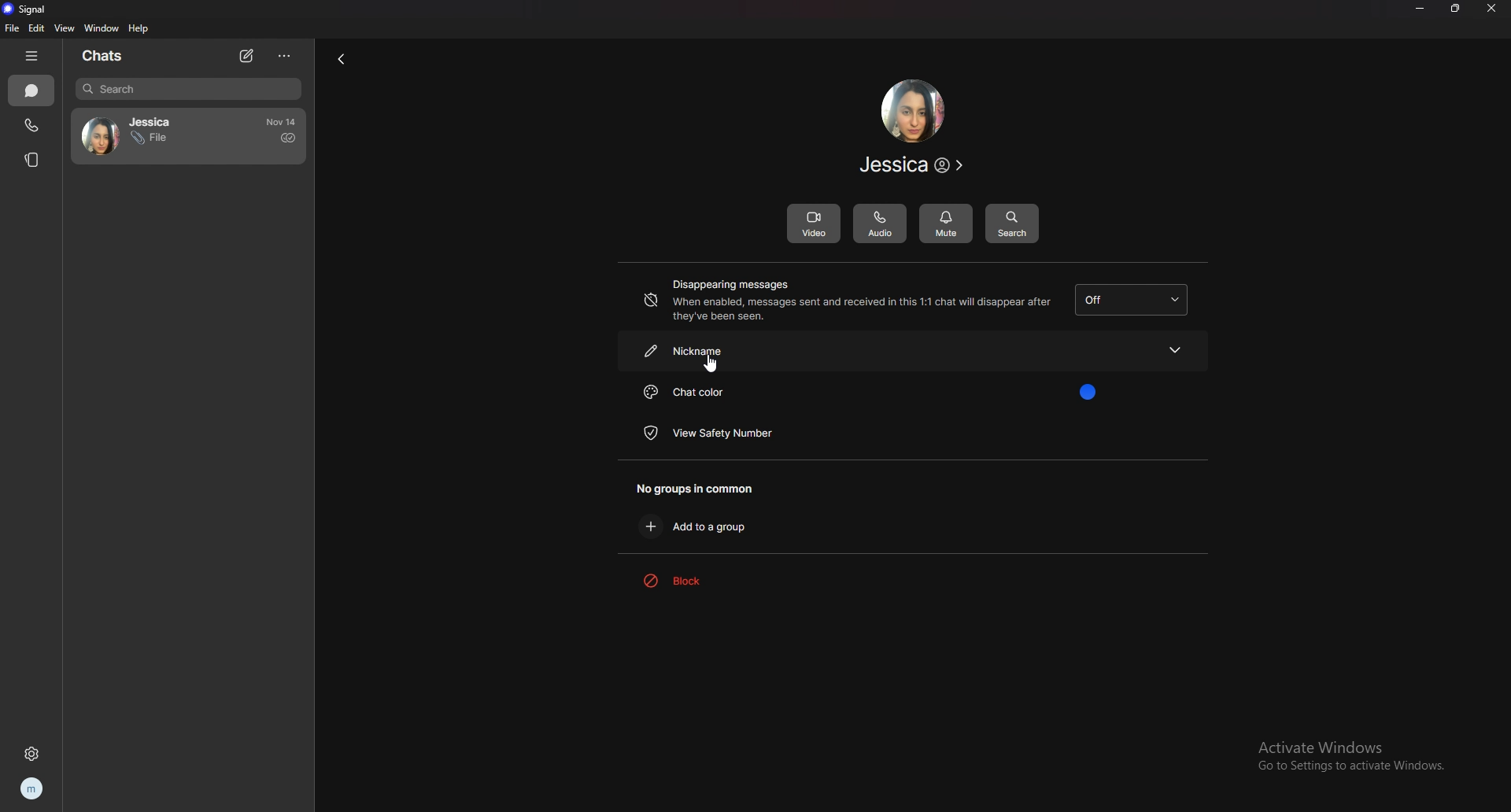  What do you see at coordinates (700, 526) in the screenshot?
I see `add to group` at bounding box center [700, 526].